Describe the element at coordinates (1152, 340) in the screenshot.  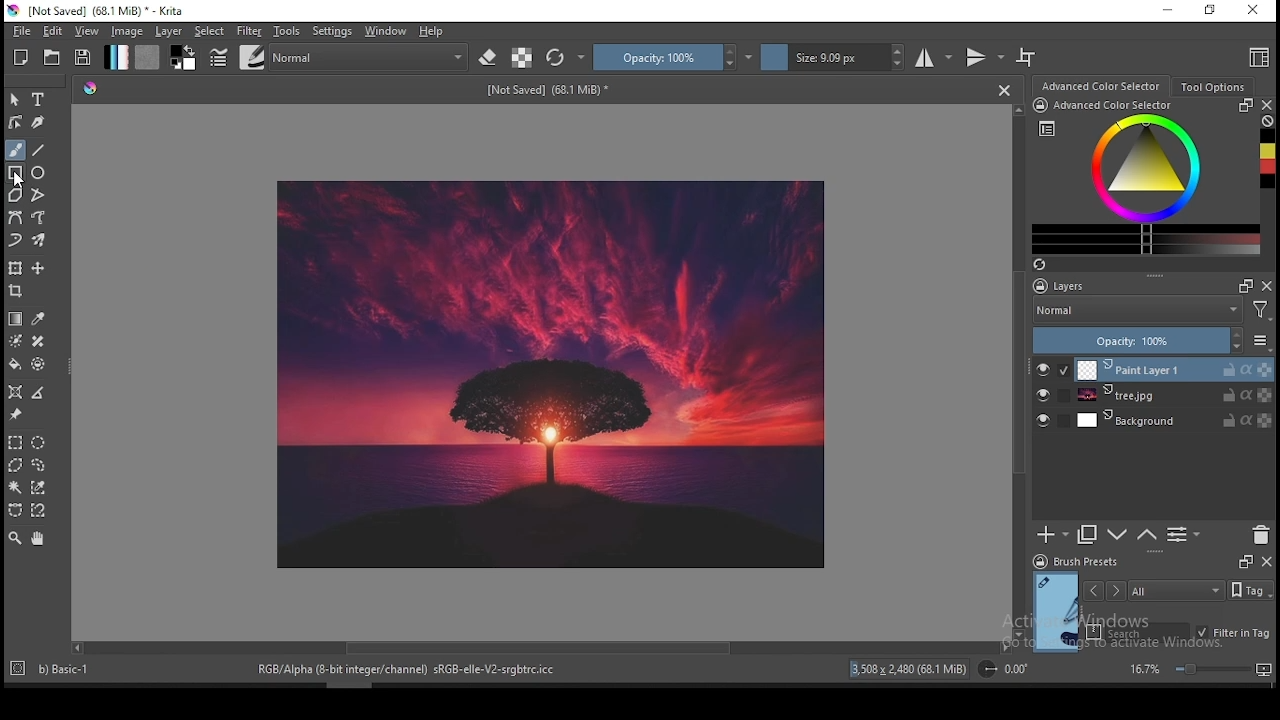
I see `opacity` at that location.